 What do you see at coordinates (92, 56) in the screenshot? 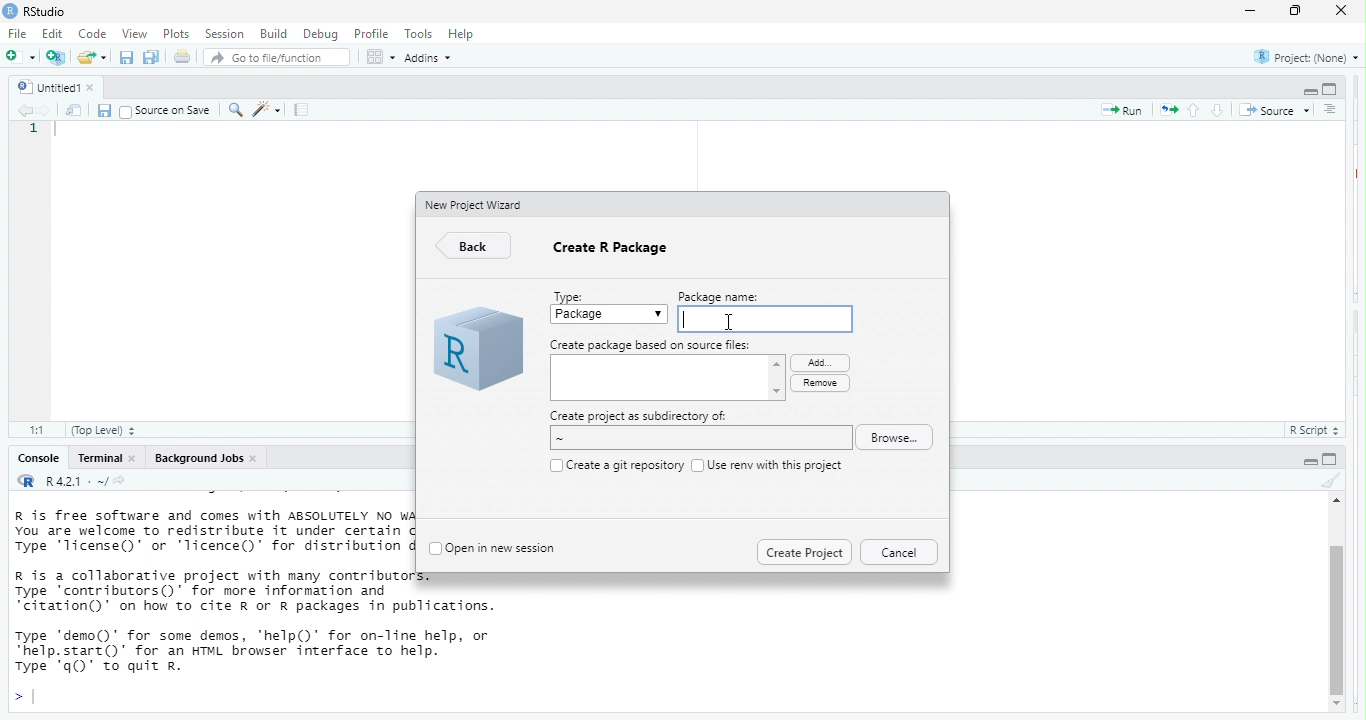
I see `open an existing file` at bounding box center [92, 56].